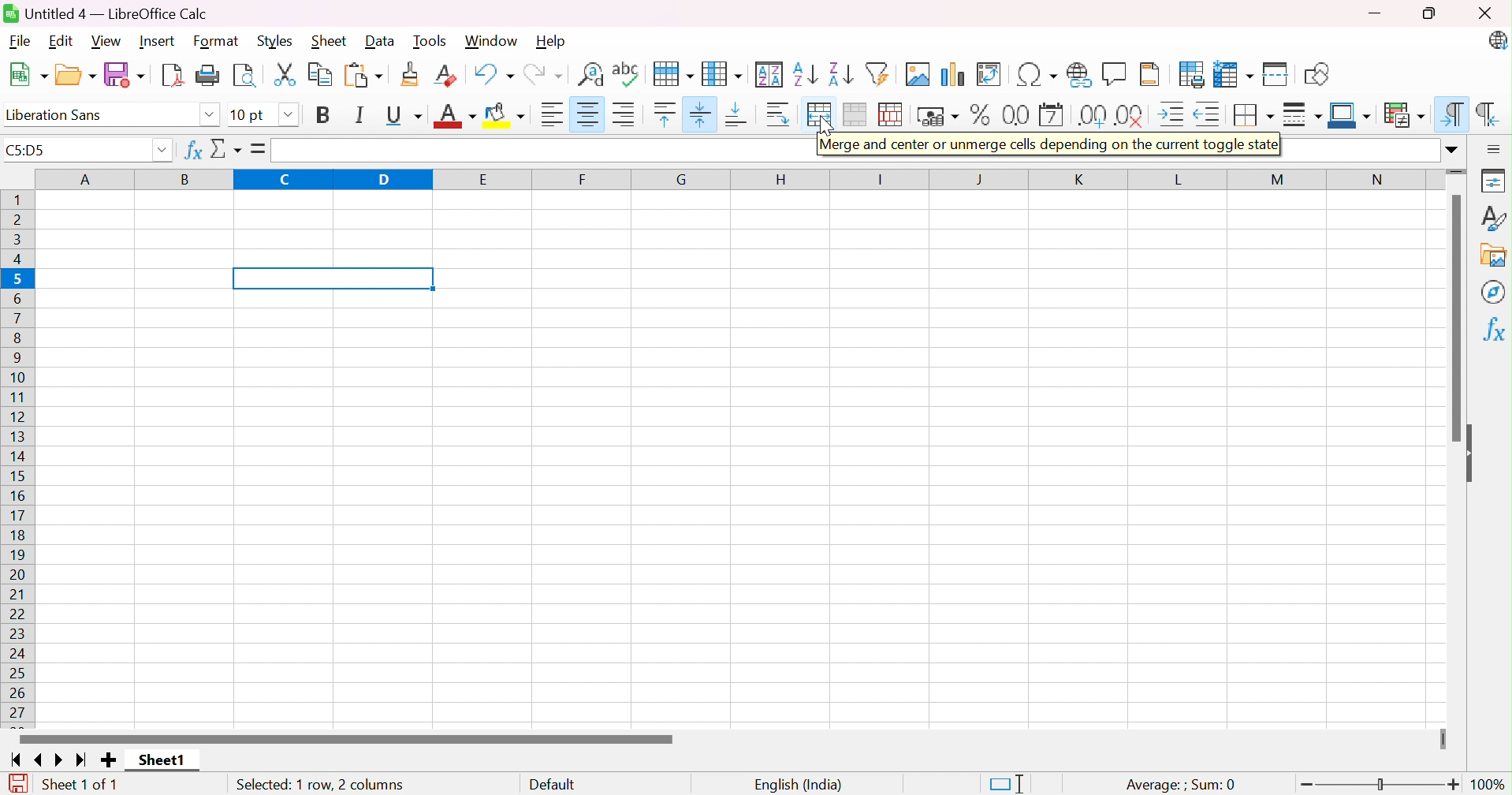  Describe the element at coordinates (174, 74) in the screenshot. I see `Export as PDF` at that location.